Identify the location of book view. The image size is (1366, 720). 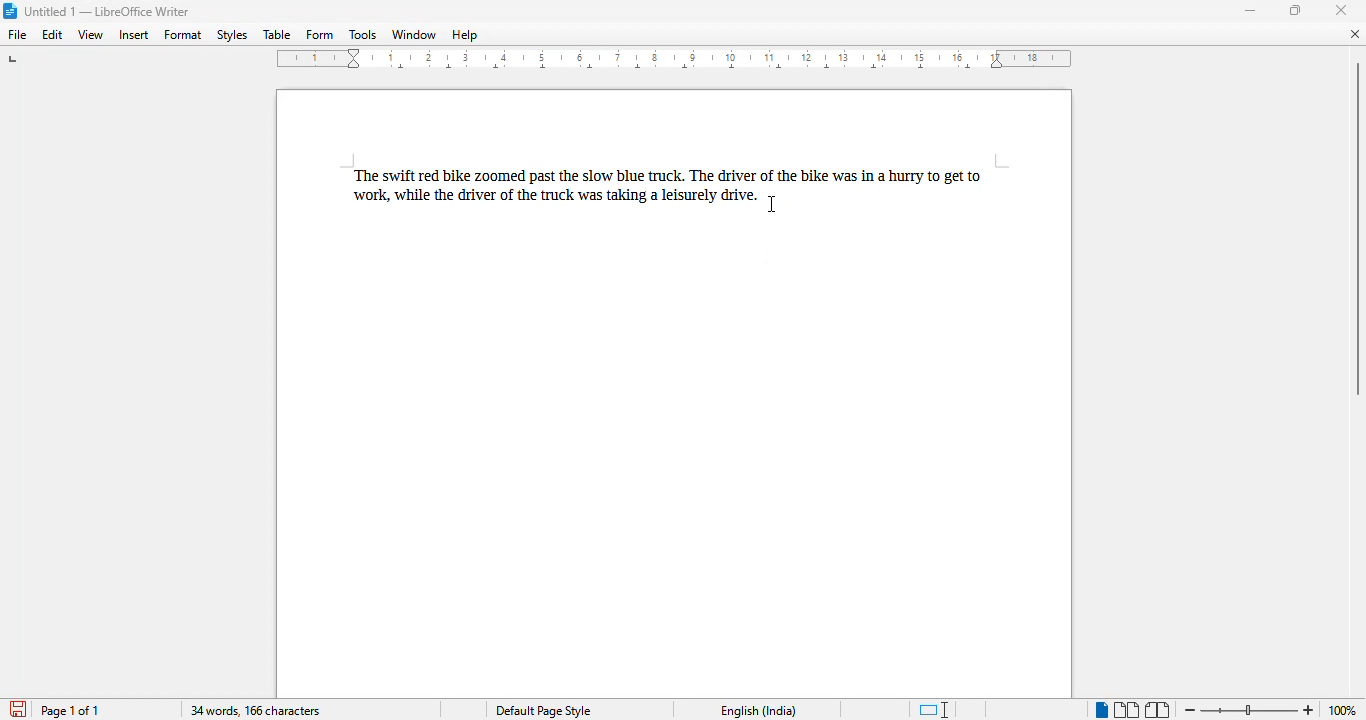
(1159, 711).